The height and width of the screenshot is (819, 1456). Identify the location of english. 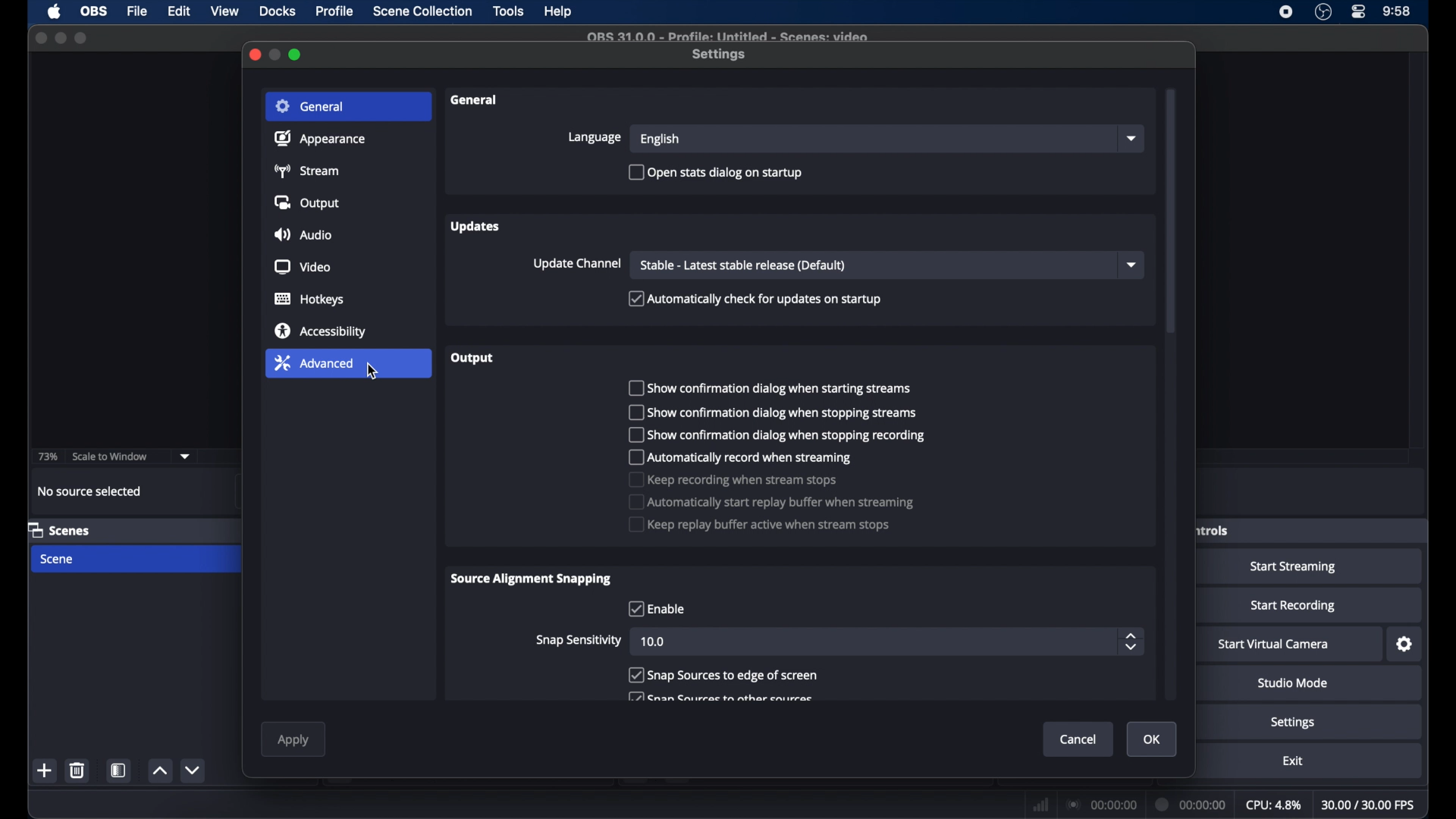
(660, 140).